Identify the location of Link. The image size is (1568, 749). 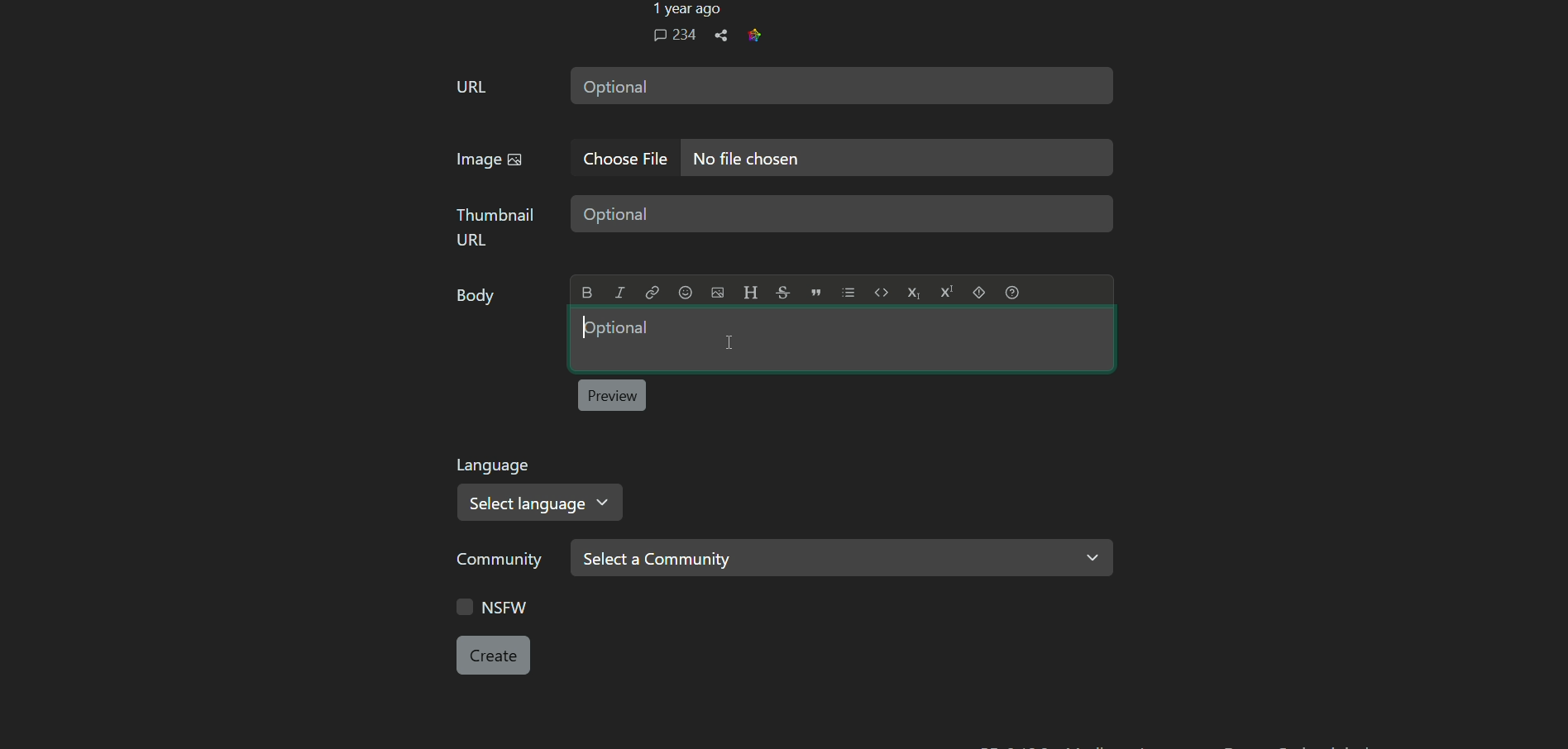
(754, 35).